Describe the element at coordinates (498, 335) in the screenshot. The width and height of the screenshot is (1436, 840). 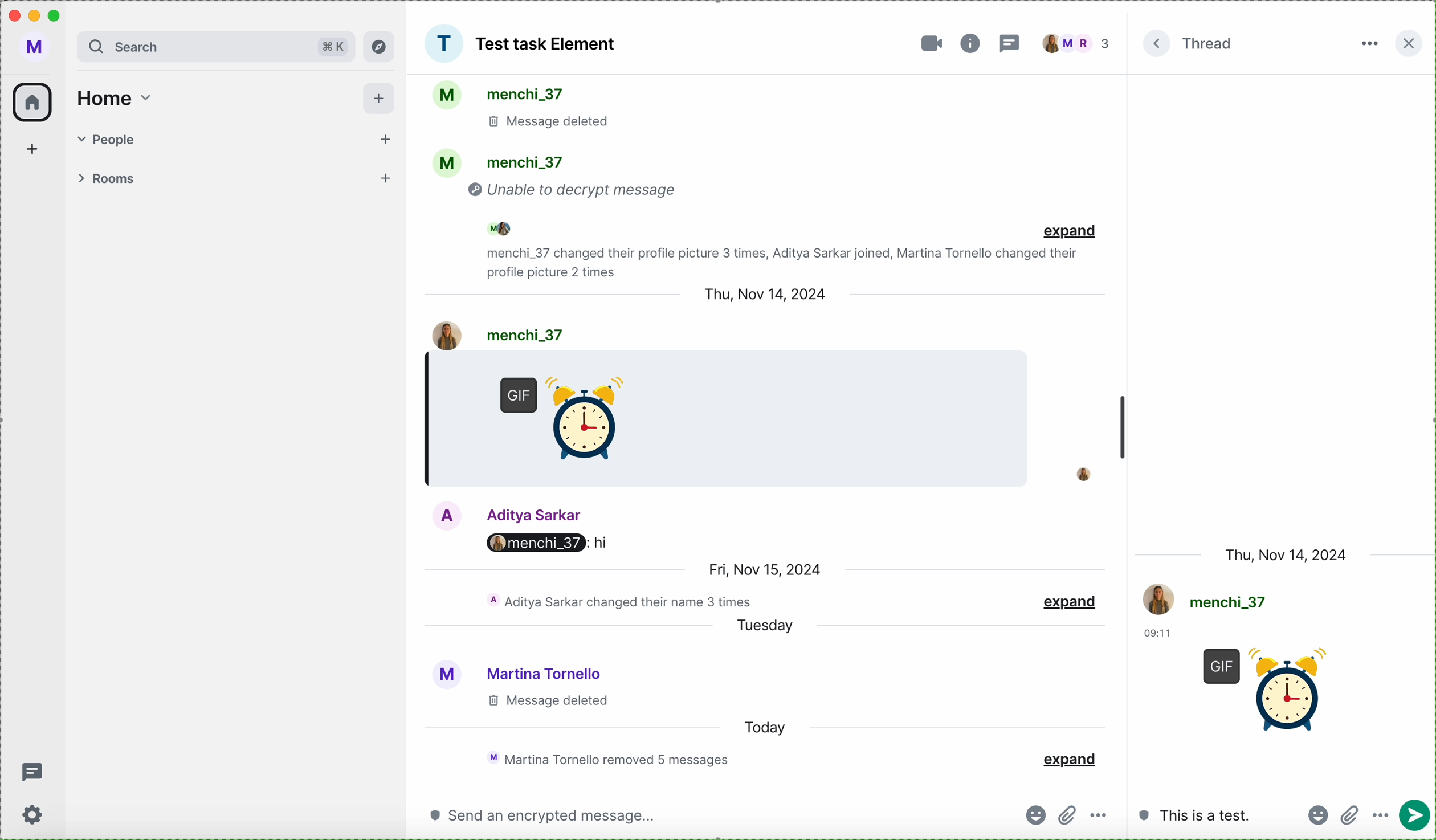
I see `user` at that location.